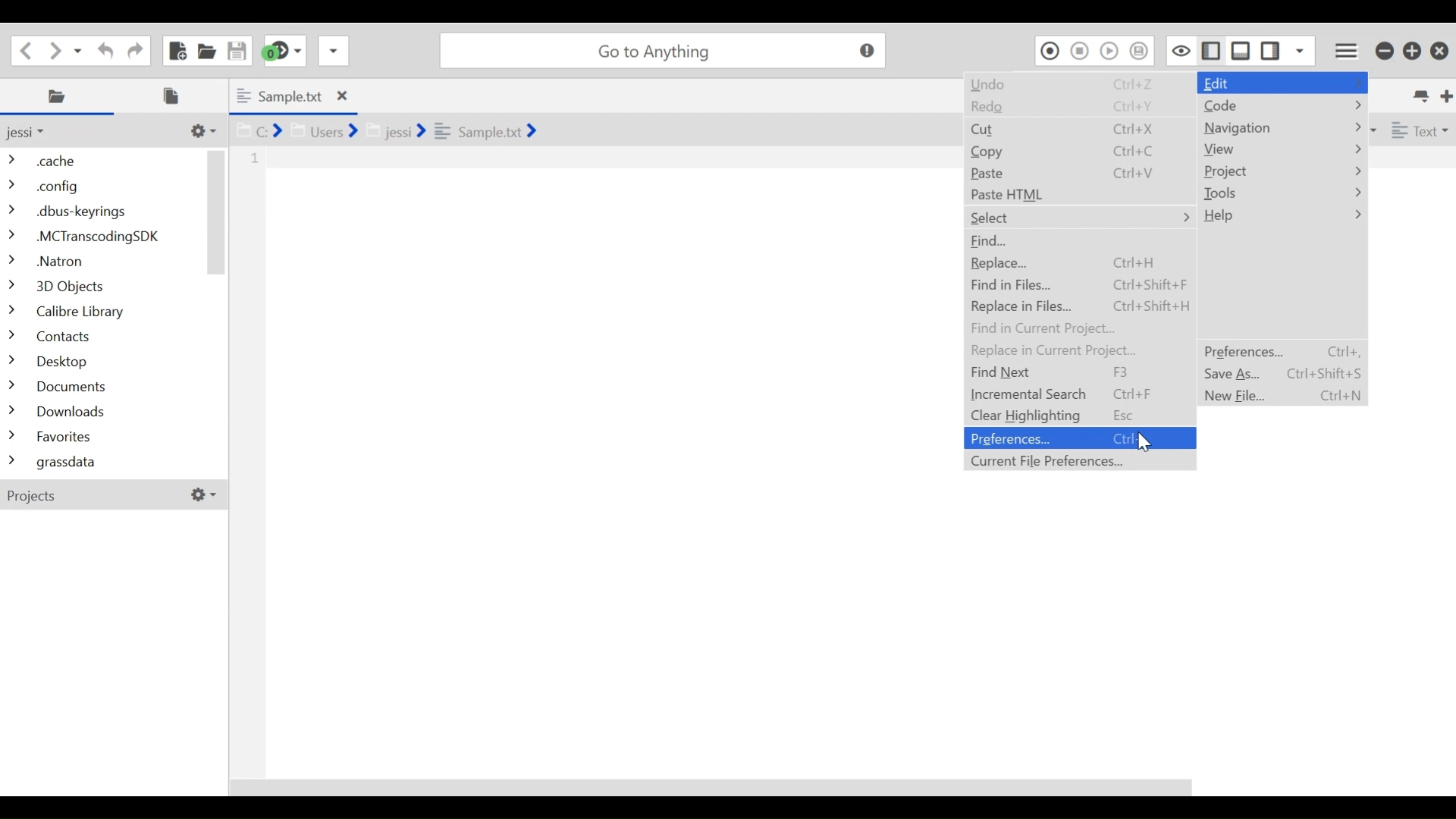 The width and height of the screenshot is (1456, 819). Describe the element at coordinates (1301, 50) in the screenshot. I see `Show specific Sidebar` at that location.